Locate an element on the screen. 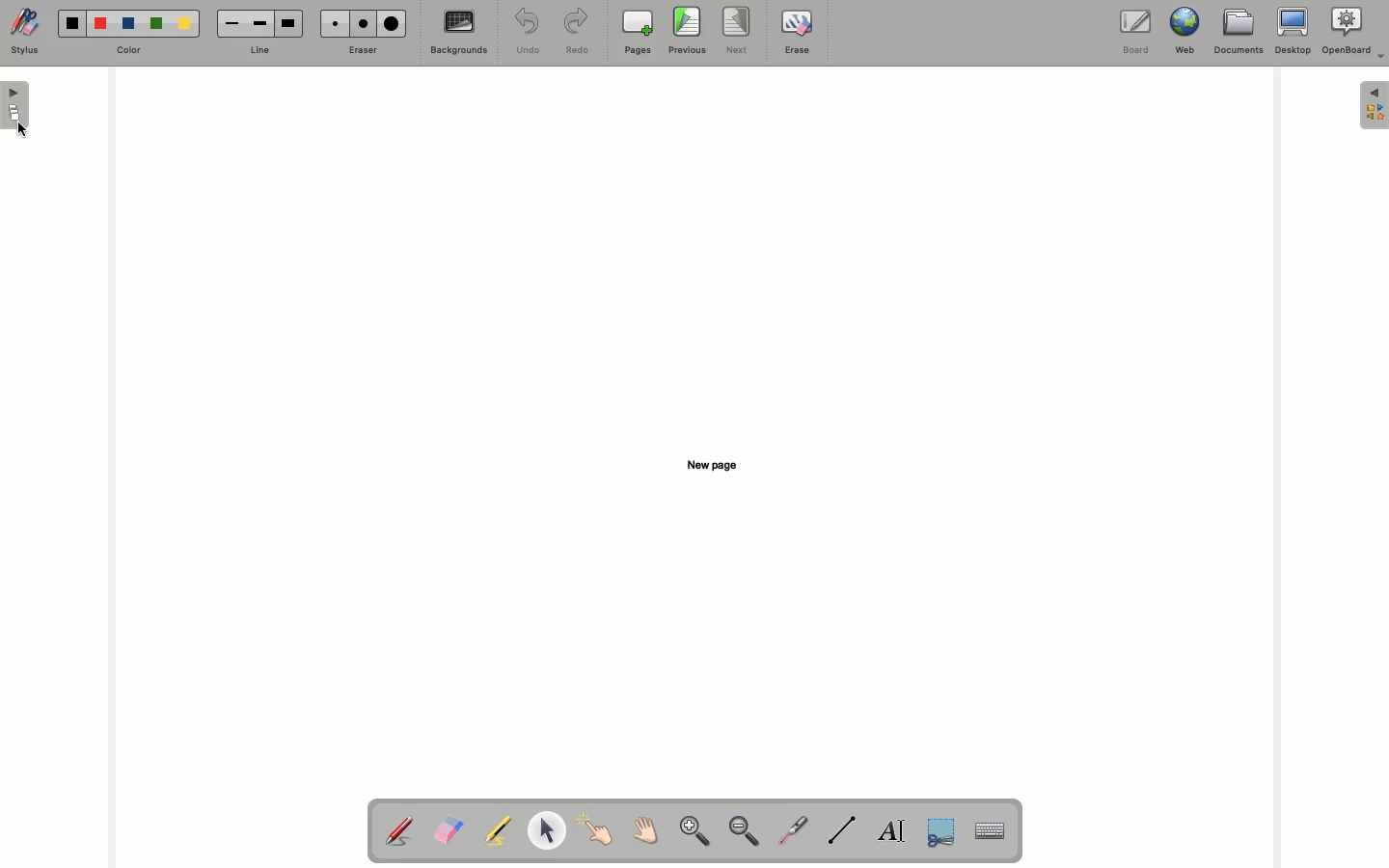 Image resolution: width=1389 pixels, height=868 pixels. Draw lines is located at coordinates (841, 830).